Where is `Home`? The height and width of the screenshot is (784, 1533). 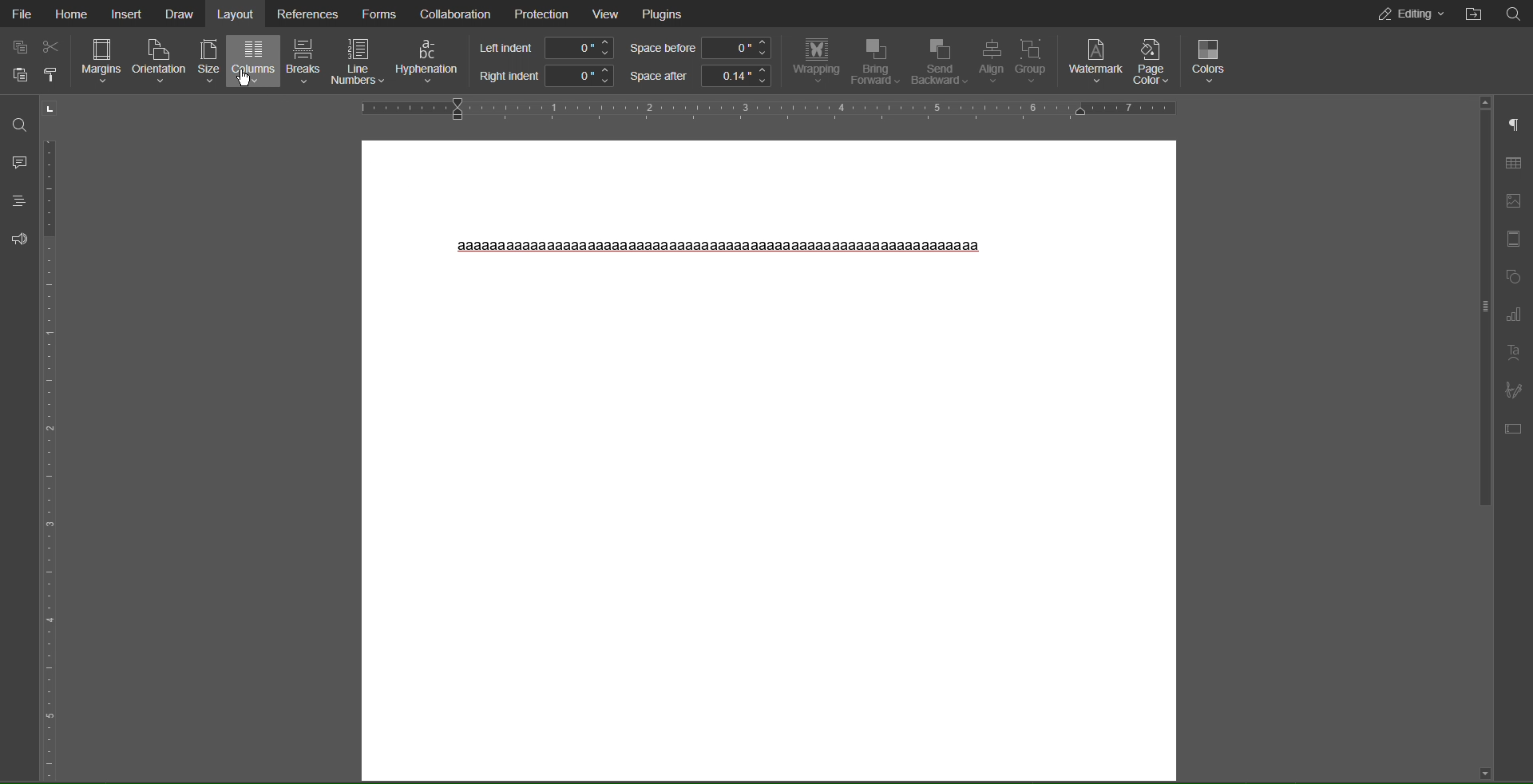
Home is located at coordinates (75, 14).